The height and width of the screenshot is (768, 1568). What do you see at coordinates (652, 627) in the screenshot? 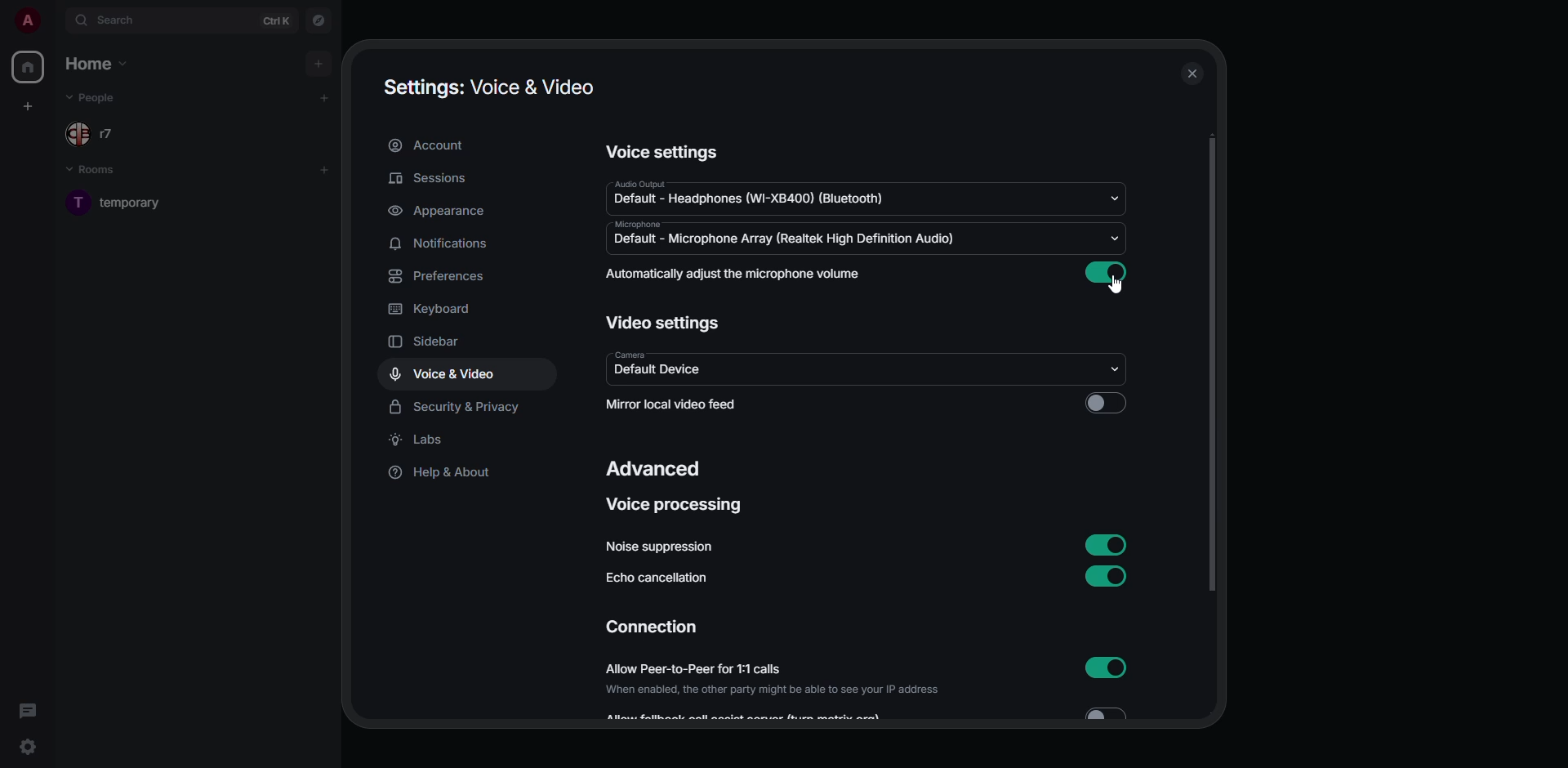
I see `connection` at bounding box center [652, 627].